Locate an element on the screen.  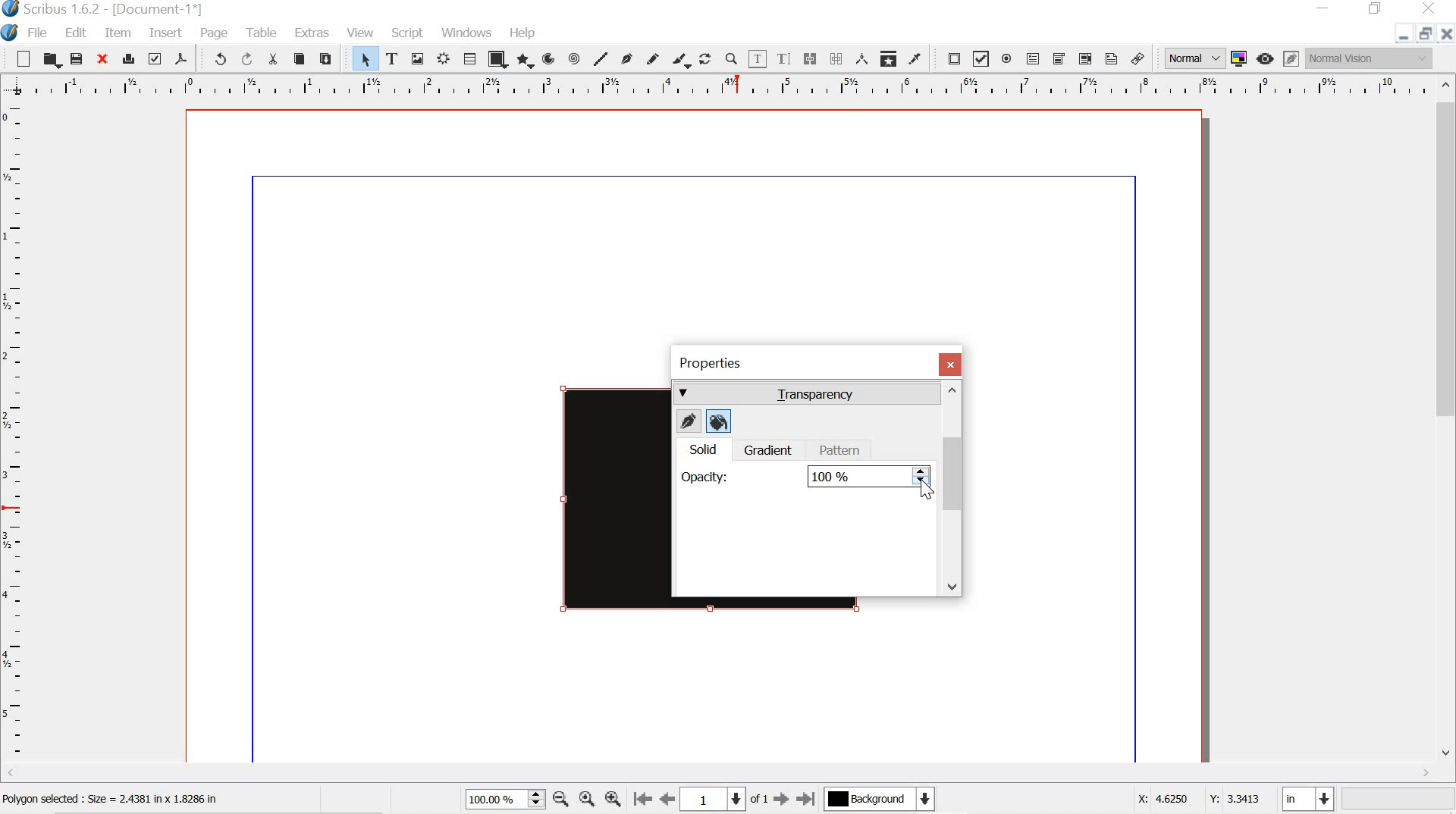
script is located at coordinates (409, 33).